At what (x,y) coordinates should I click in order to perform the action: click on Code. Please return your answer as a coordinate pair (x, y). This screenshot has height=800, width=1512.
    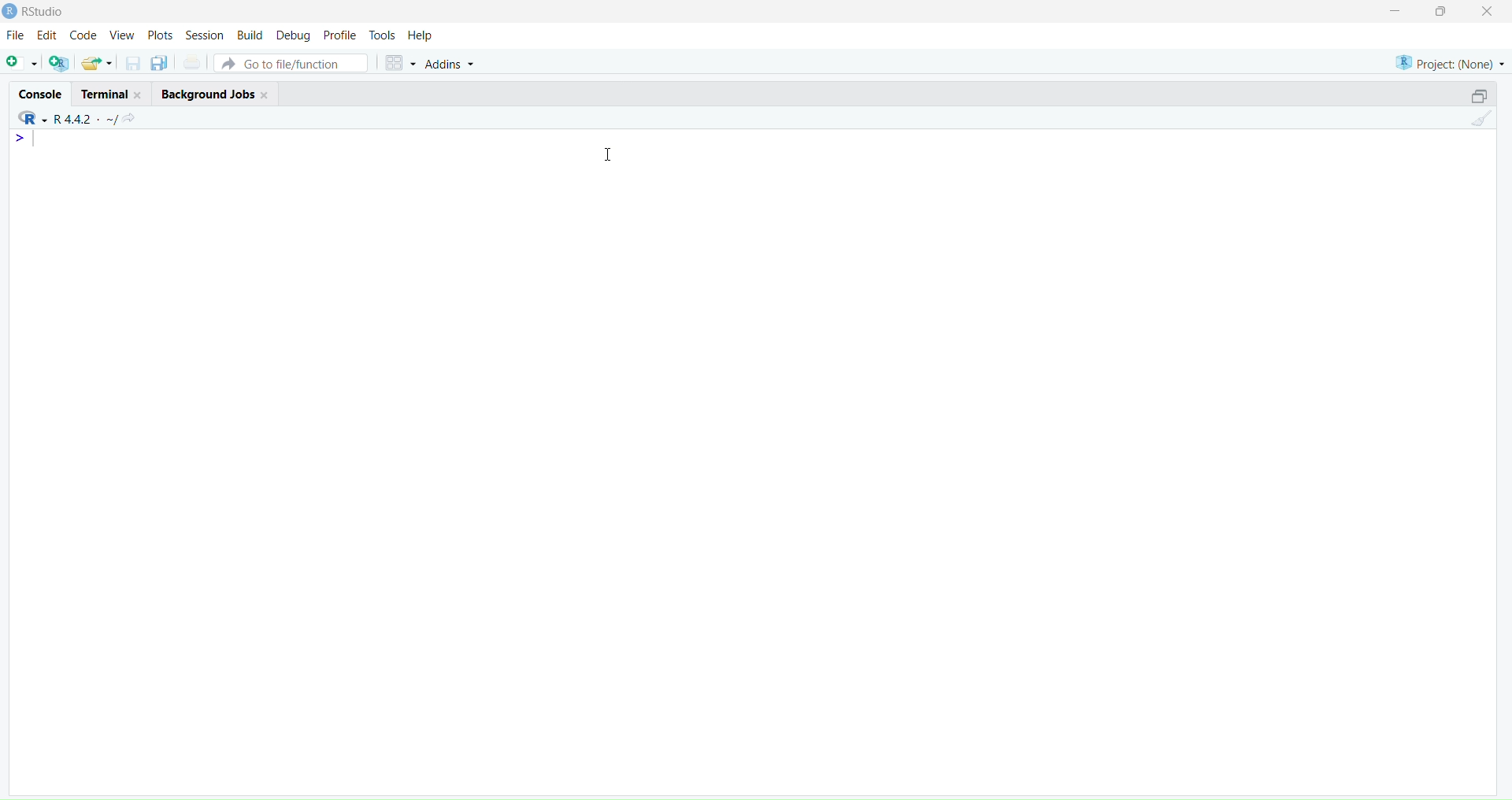
    Looking at the image, I should click on (84, 35).